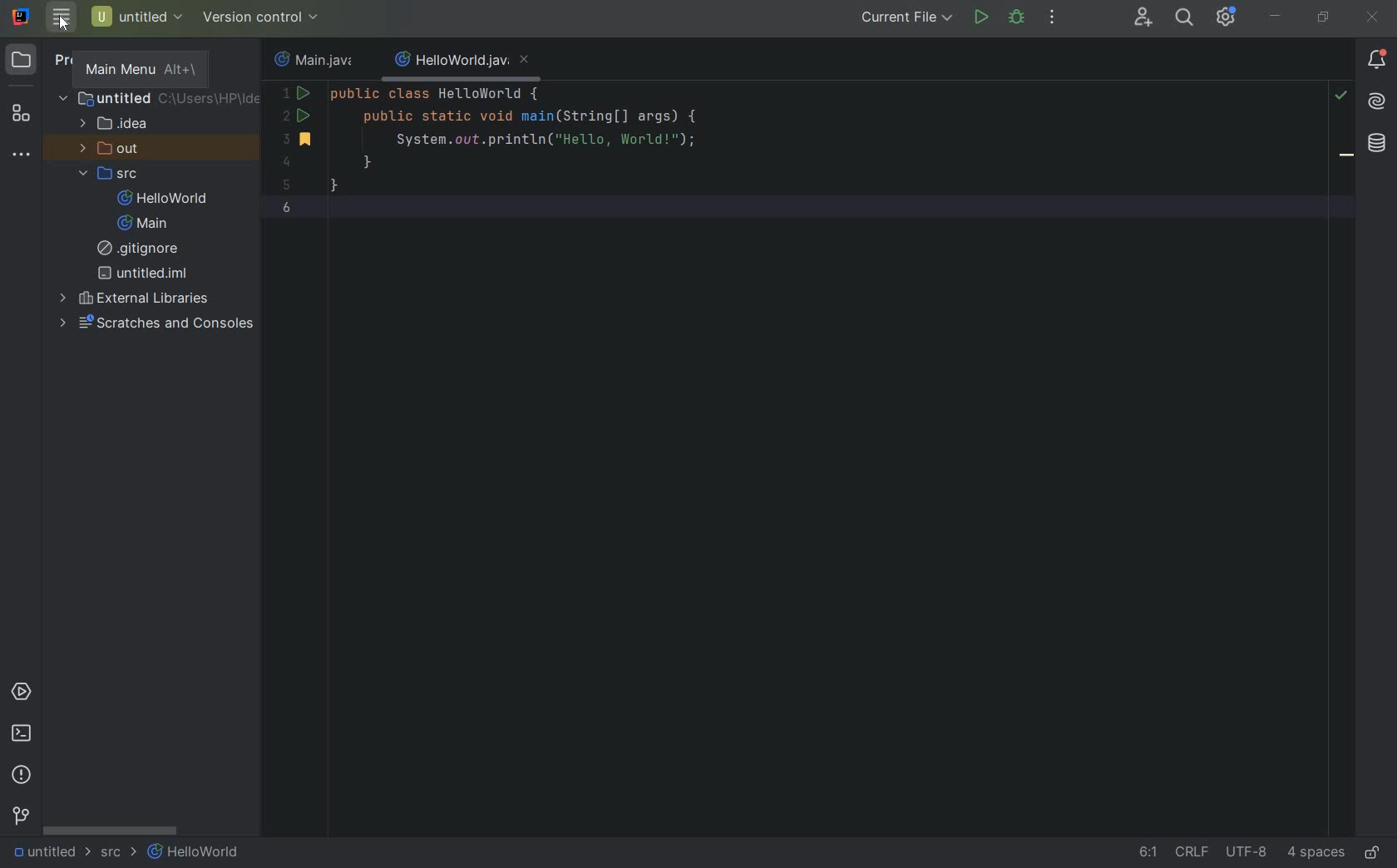 The image size is (1397, 868). Describe the element at coordinates (146, 223) in the screenshot. I see `MAIN` at that location.